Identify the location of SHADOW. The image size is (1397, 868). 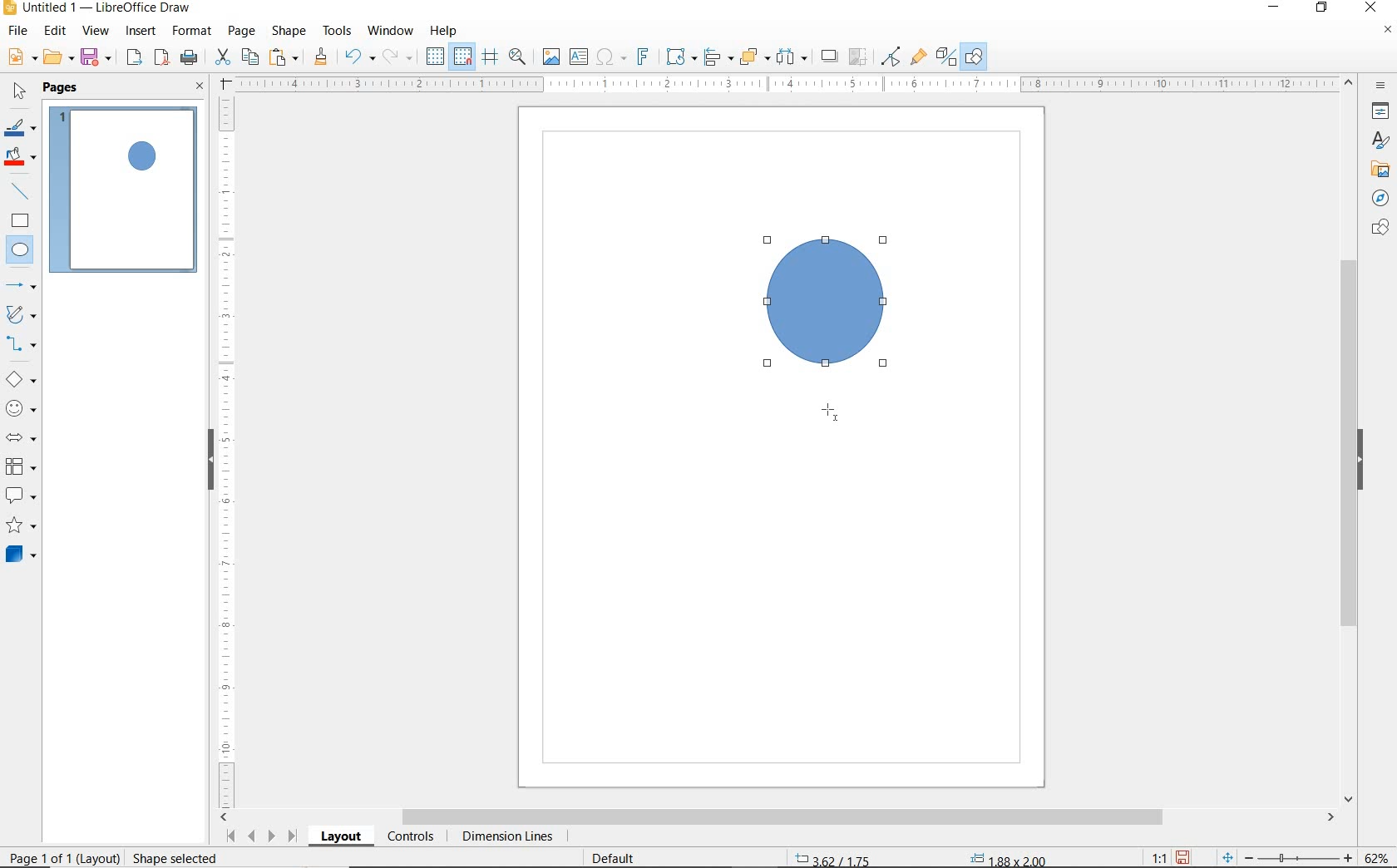
(830, 58).